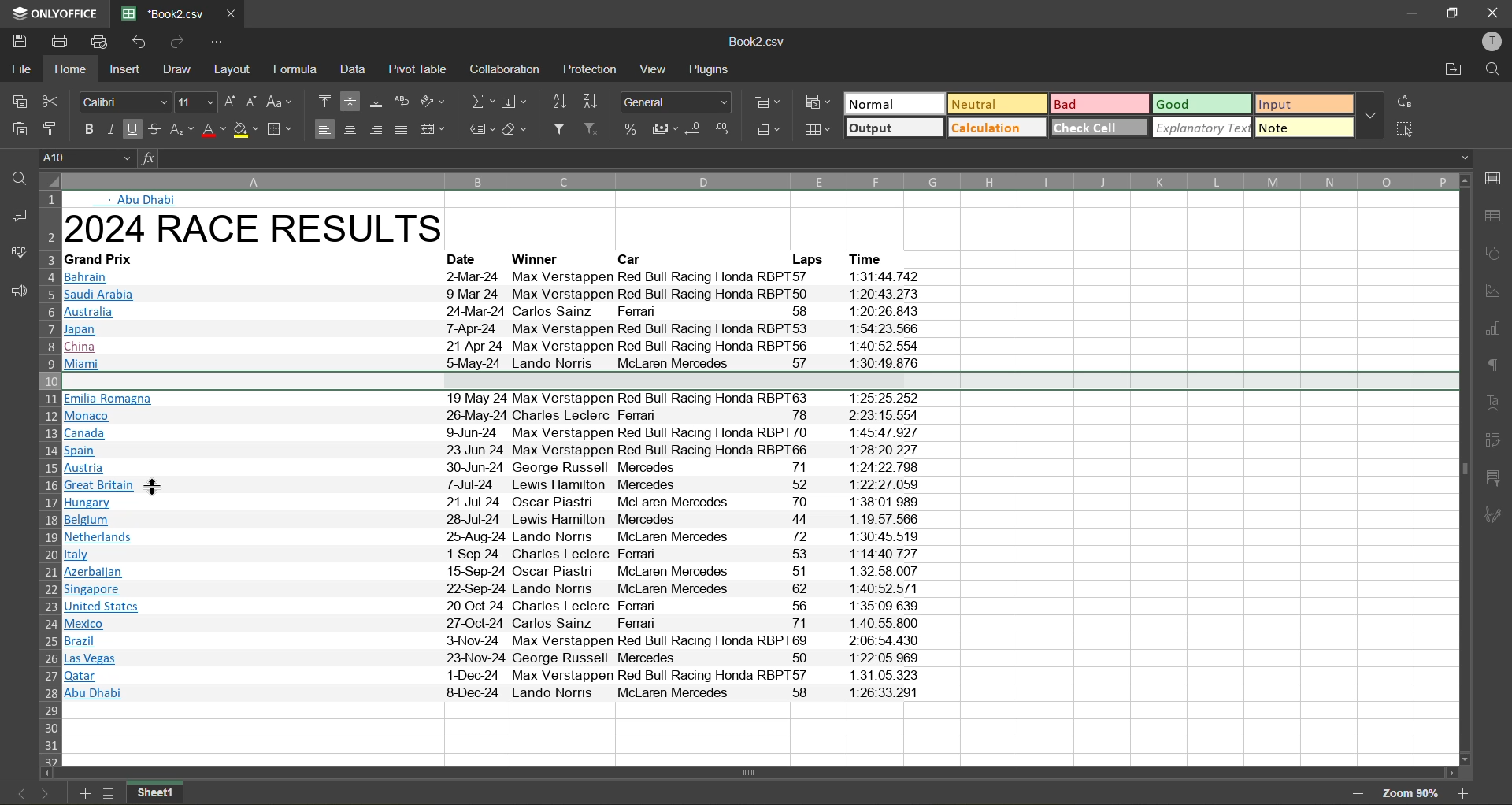 Image resolution: width=1512 pixels, height=805 pixels. What do you see at coordinates (324, 129) in the screenshot?
I see `align left` at bounding box center [324, 129].